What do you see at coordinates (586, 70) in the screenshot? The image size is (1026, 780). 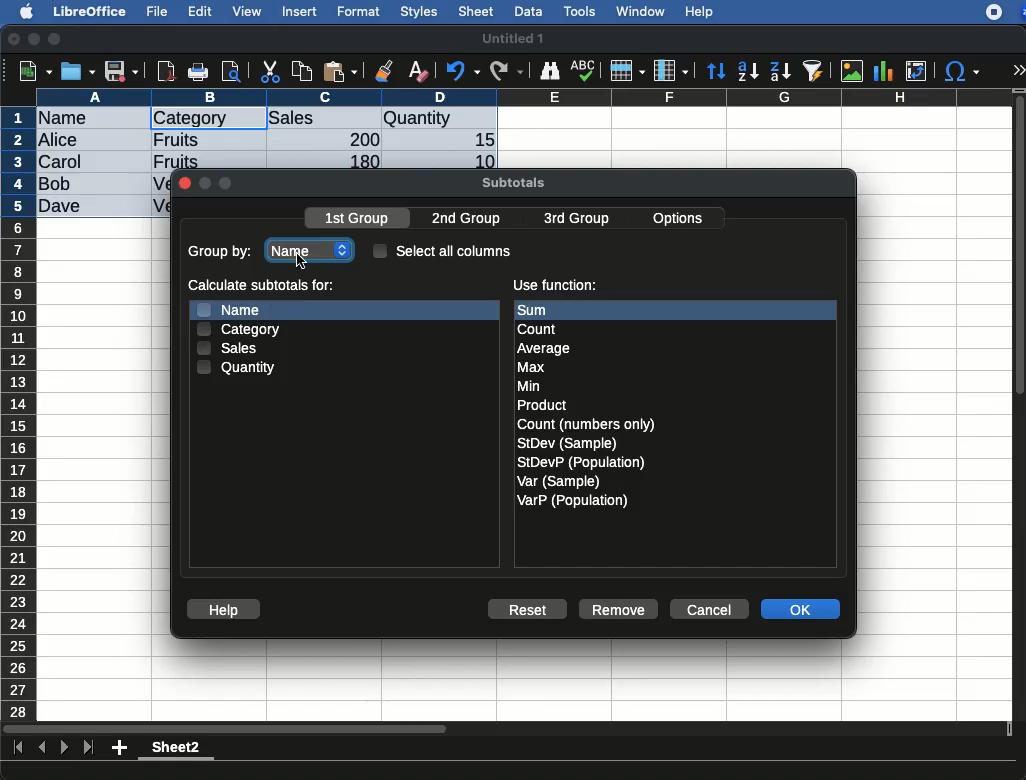 I see `spell check` at bounding box center [586, 70].